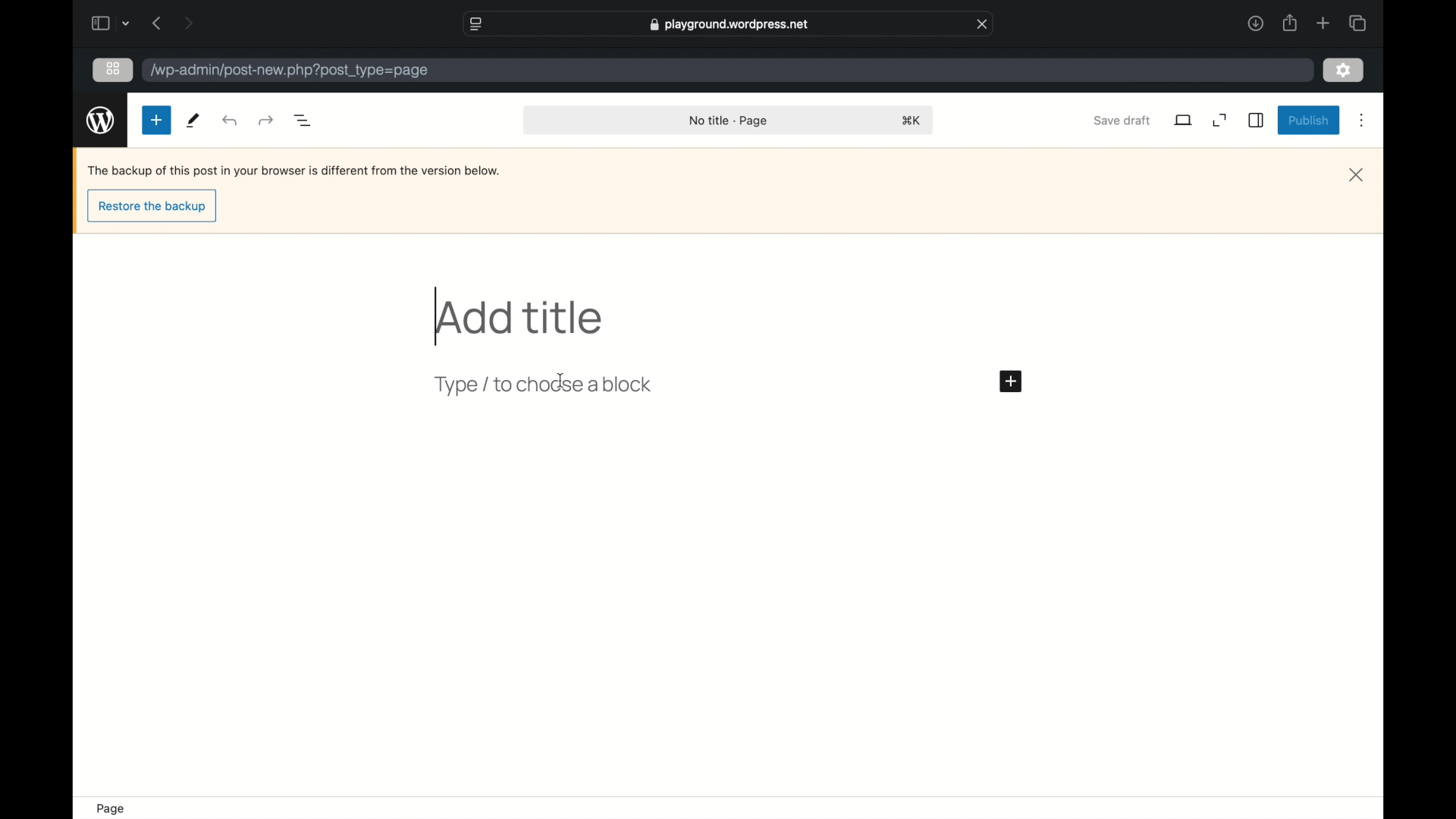 Image resolution: width=1456 pixels, height=819 pixels. Describe the element at coordinates (156, 121) in the screenshot. I see `new` at that location.